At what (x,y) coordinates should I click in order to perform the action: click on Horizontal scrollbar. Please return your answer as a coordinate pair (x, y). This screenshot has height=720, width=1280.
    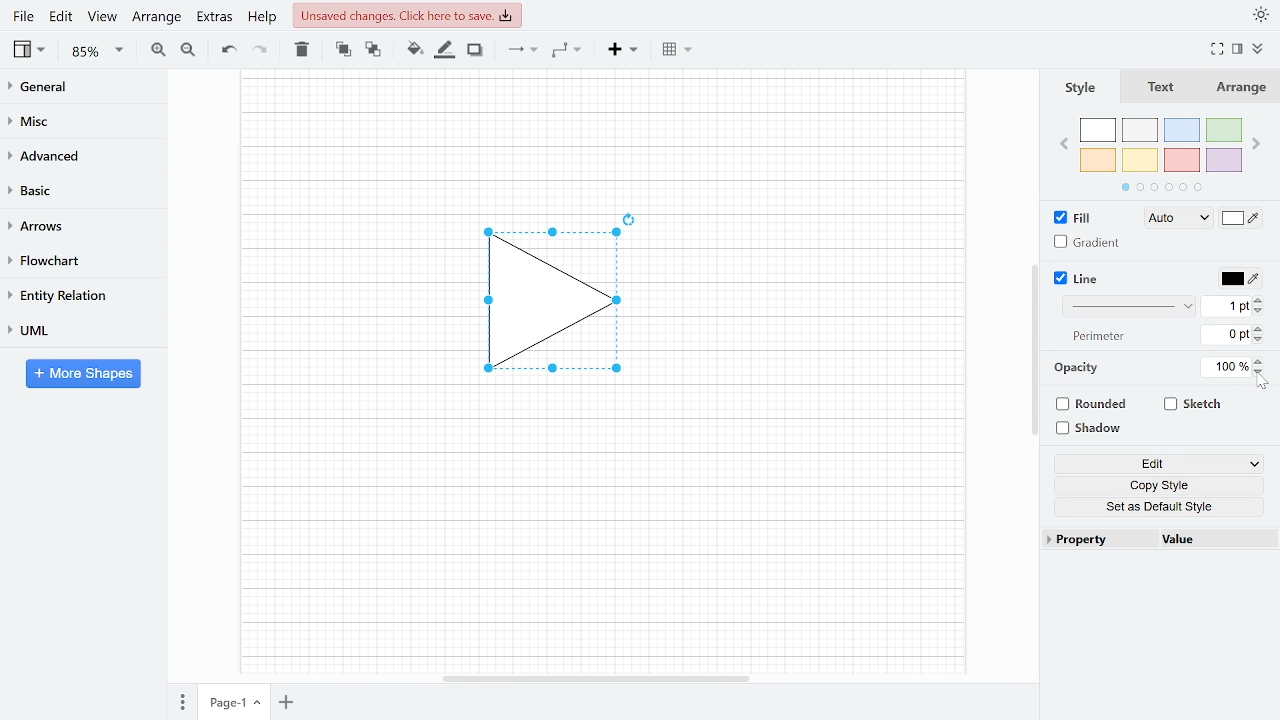
    Looking at the image, I should click on (598, 678).